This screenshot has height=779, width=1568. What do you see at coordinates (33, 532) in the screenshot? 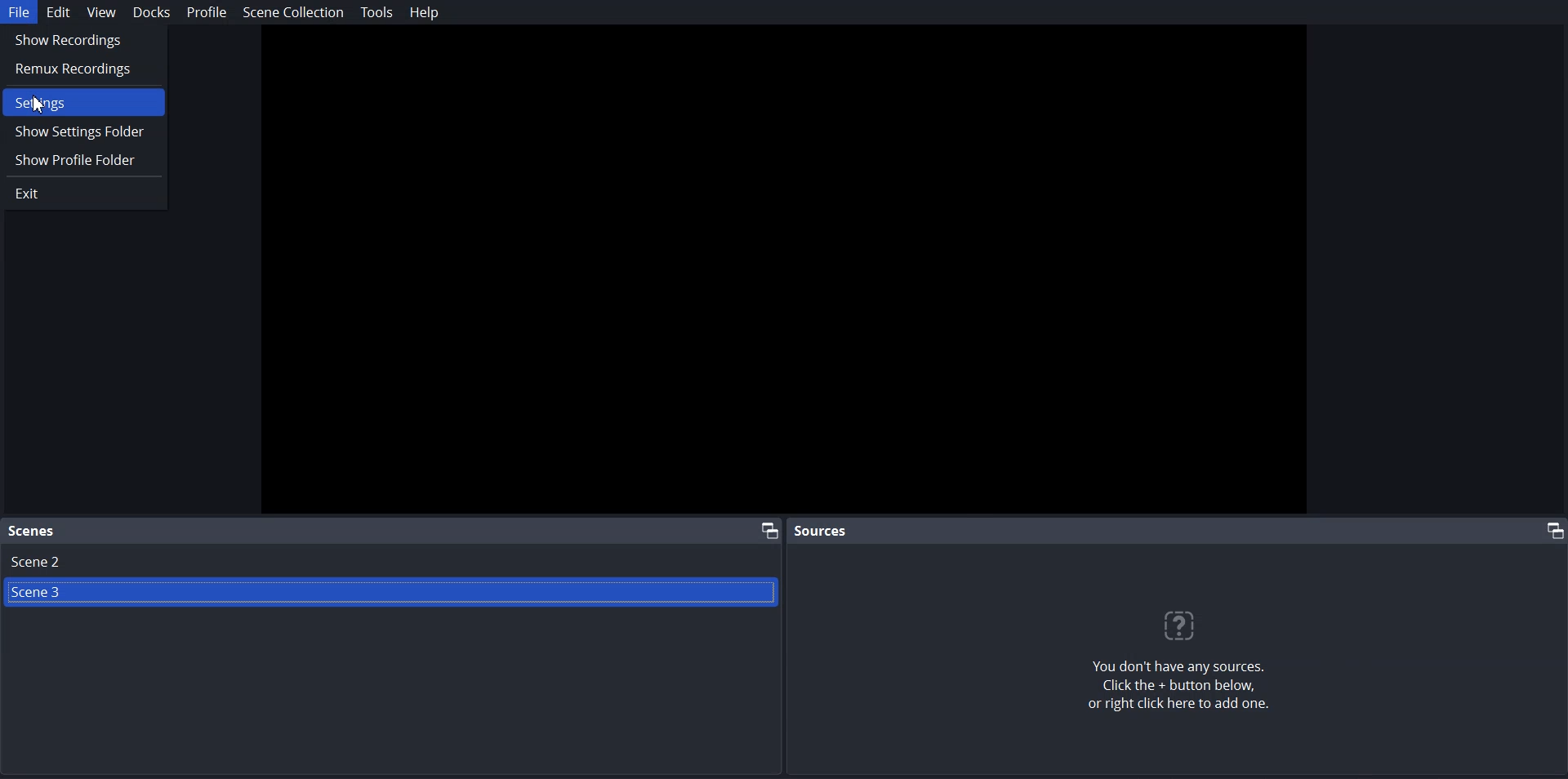
I see `Scene` at bounding box center [33, 532].